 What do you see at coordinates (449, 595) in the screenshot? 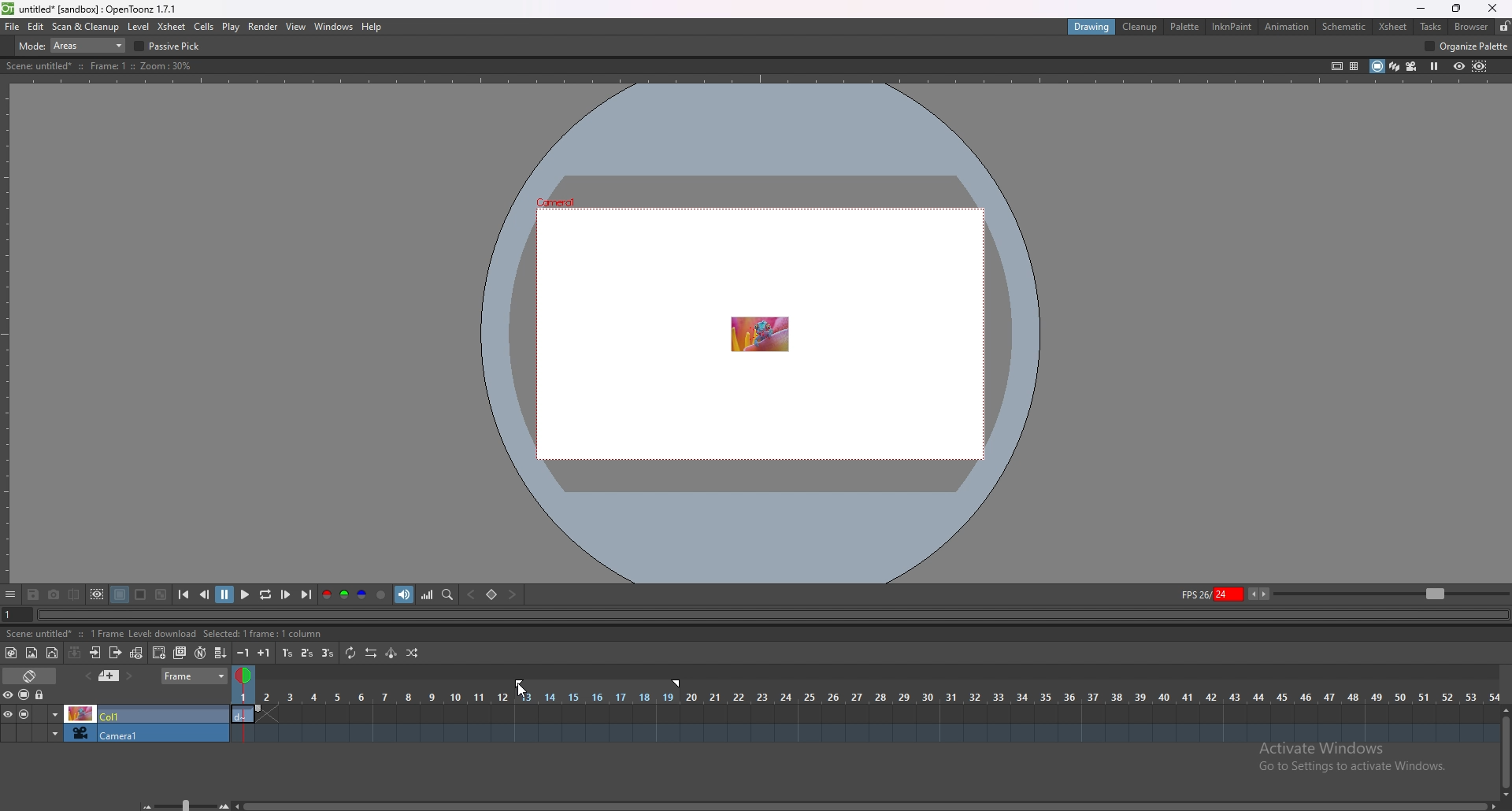
I see `locator` at bounding box center [449, 595].